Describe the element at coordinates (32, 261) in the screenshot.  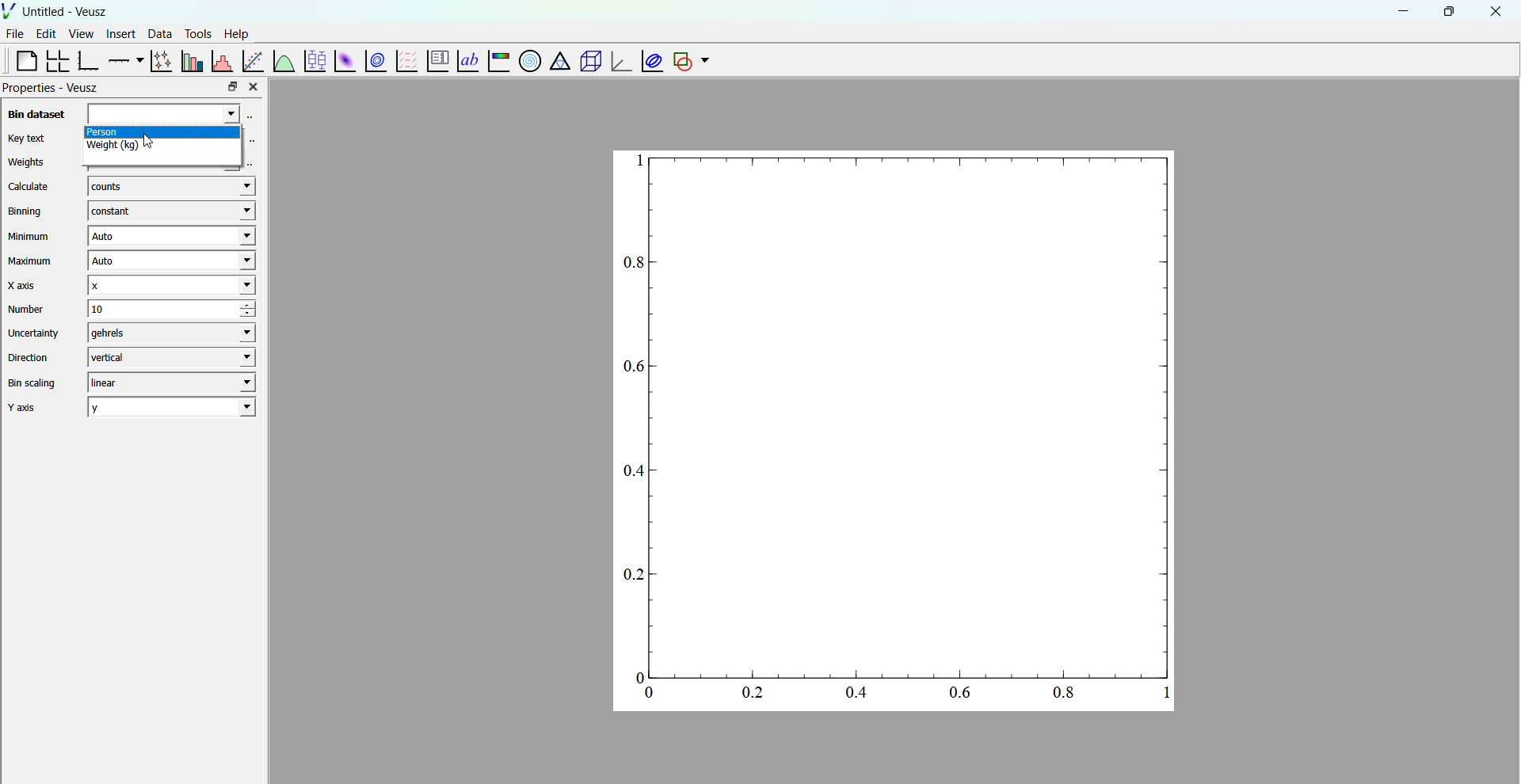
I see `Maximum` at that location.